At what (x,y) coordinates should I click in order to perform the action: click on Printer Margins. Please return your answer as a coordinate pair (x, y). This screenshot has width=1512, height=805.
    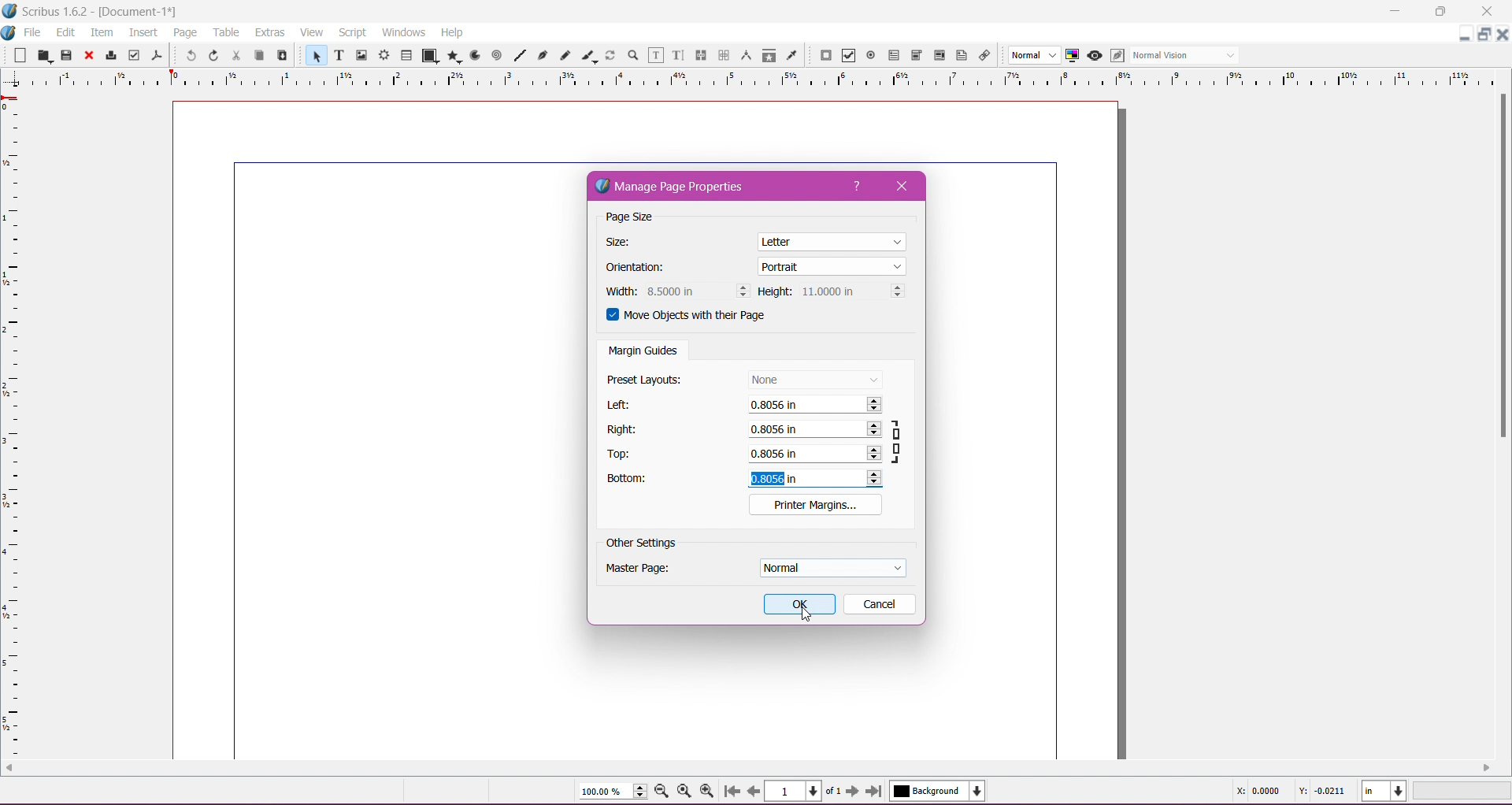
    Looking at the image, I should click on (815, 504).